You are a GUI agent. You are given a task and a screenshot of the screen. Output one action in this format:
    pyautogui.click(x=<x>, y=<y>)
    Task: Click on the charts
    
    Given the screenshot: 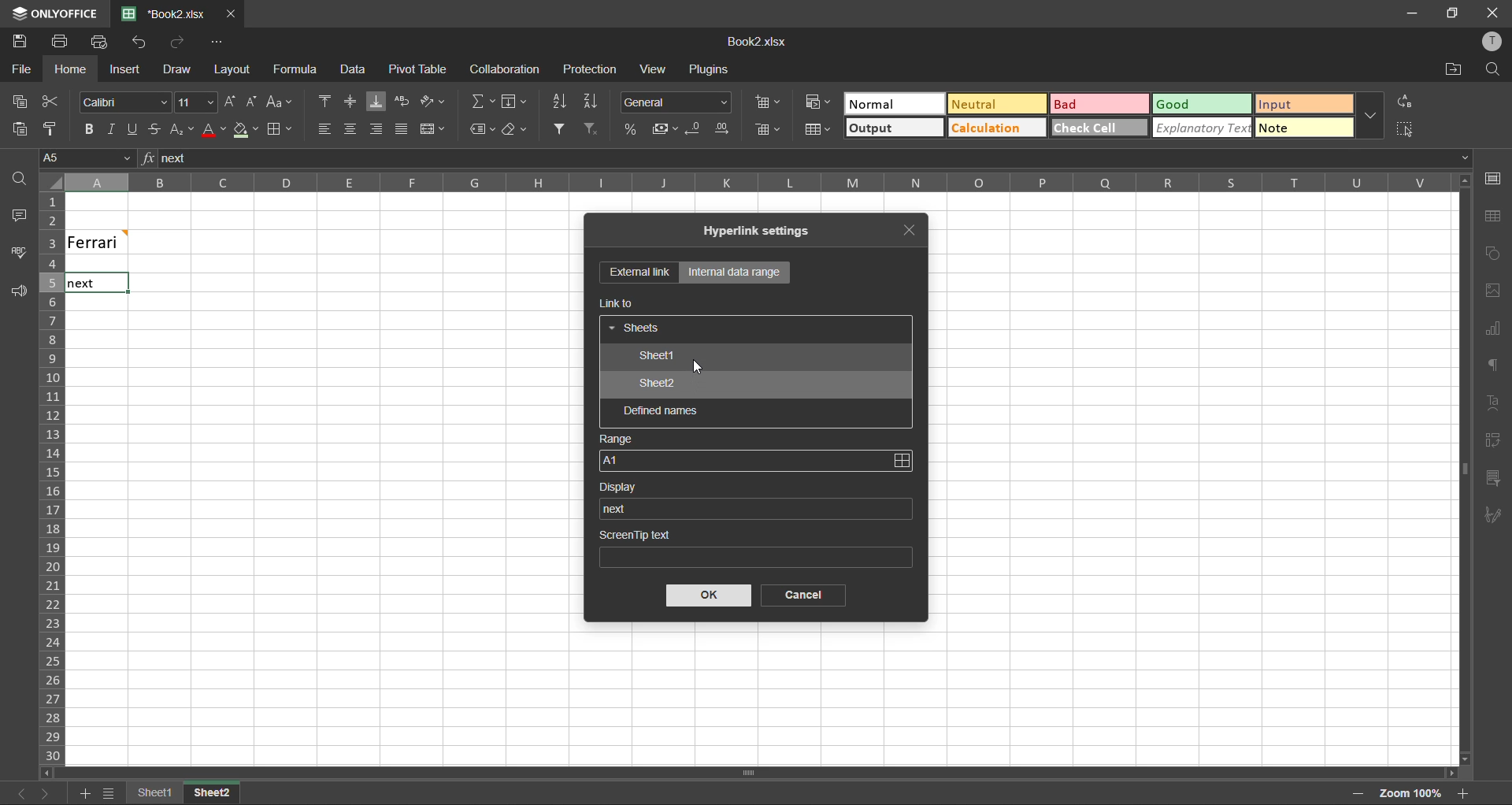 What is the action you would take?
    pyautogui.click(x=1492, y=329)
    